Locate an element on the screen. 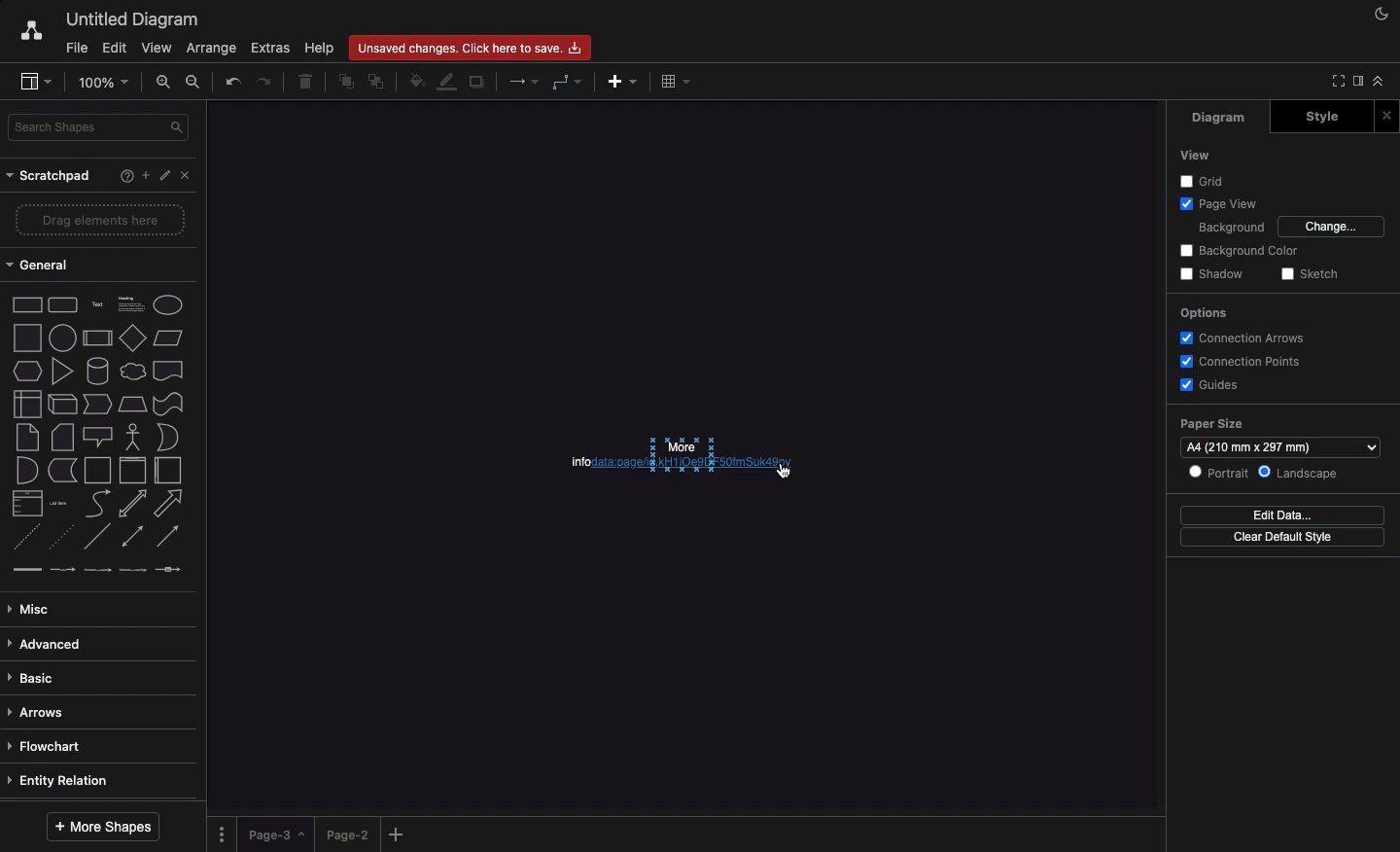  To front is located at coordinates (347, 83).